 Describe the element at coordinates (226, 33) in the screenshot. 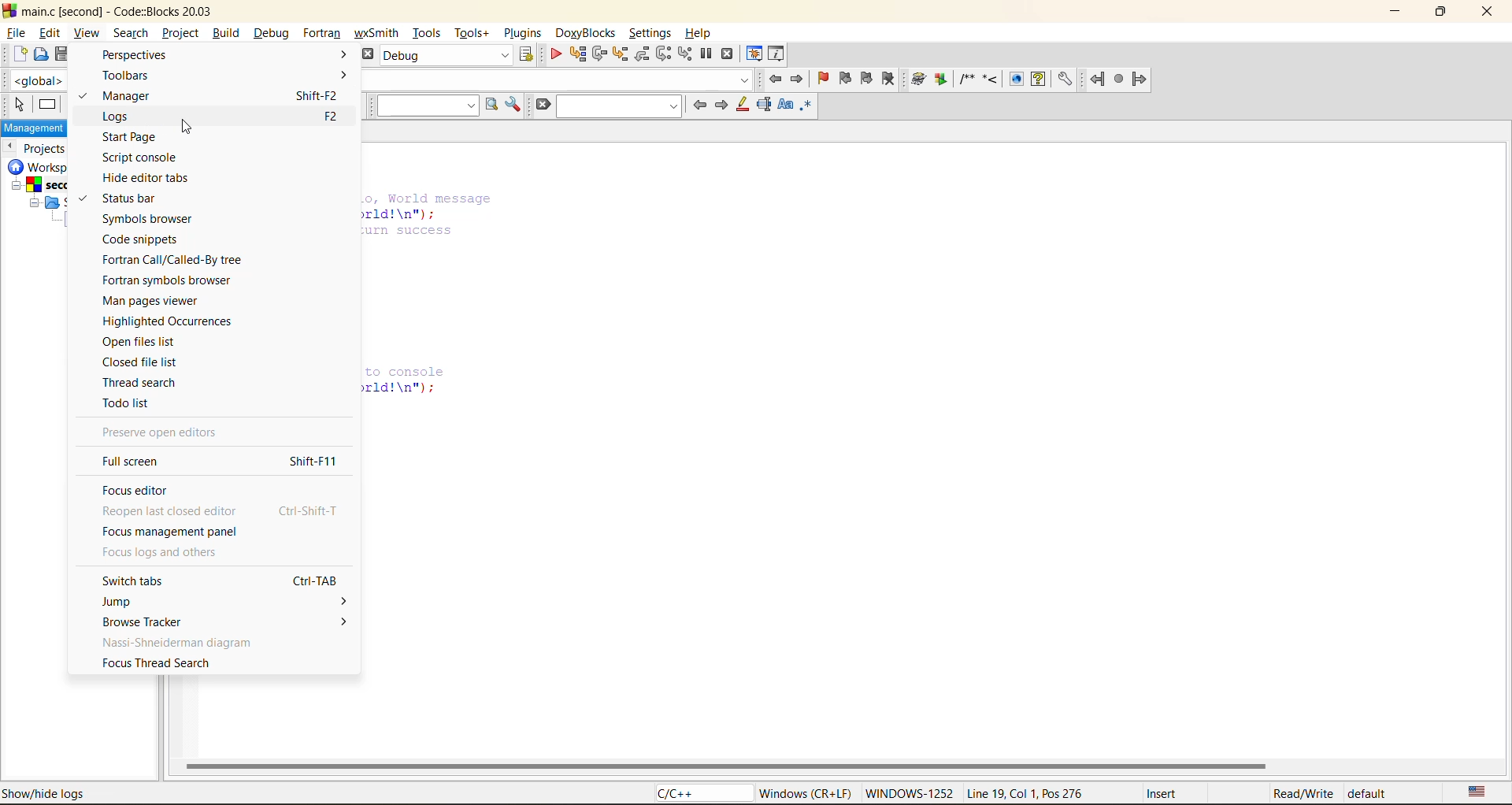

I see `build` at that location.